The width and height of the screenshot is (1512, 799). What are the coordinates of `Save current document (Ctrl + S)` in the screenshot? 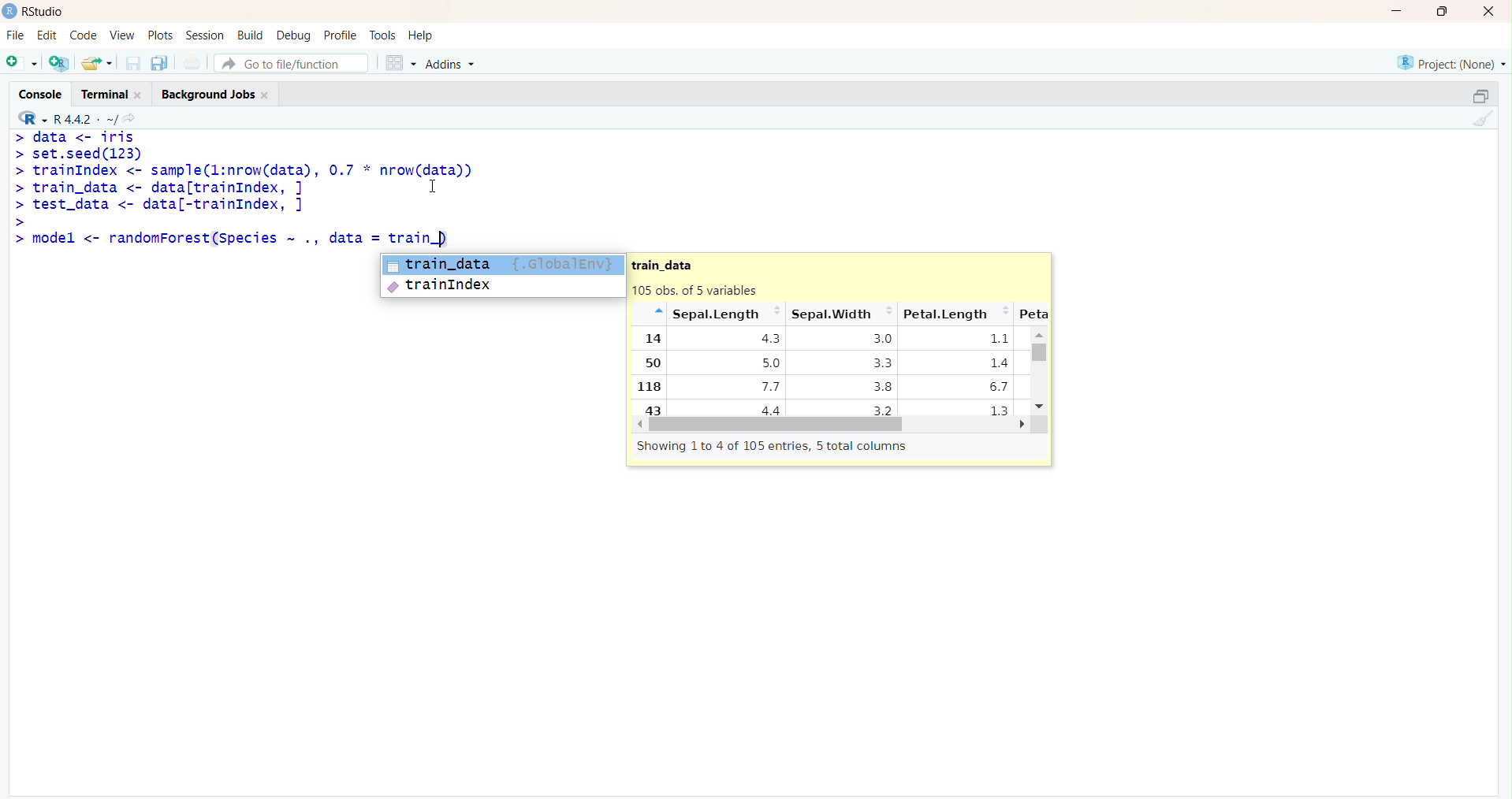 It's located at (132, 64).